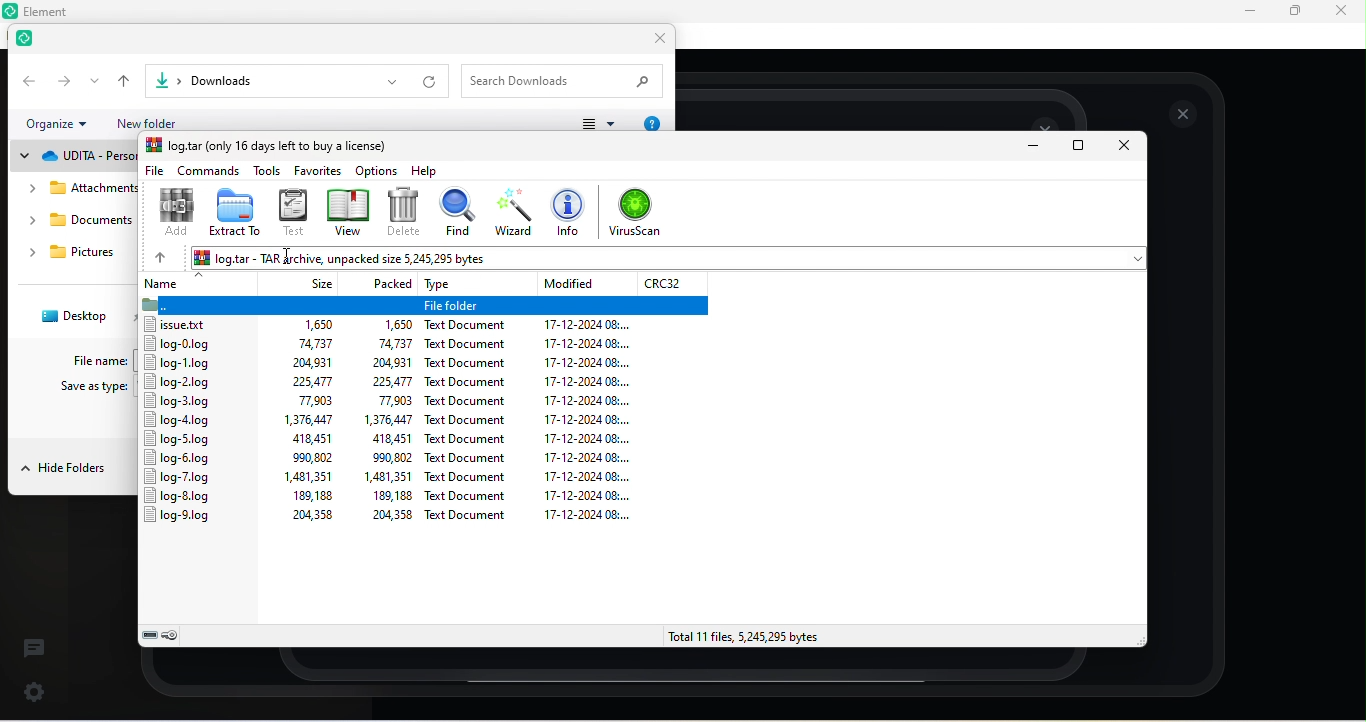 This screenshot has width=1366, height=722. What do you see at coordinates (387, 495) in the screenshot?
I see `189,188` at bounding box center [387, 495].